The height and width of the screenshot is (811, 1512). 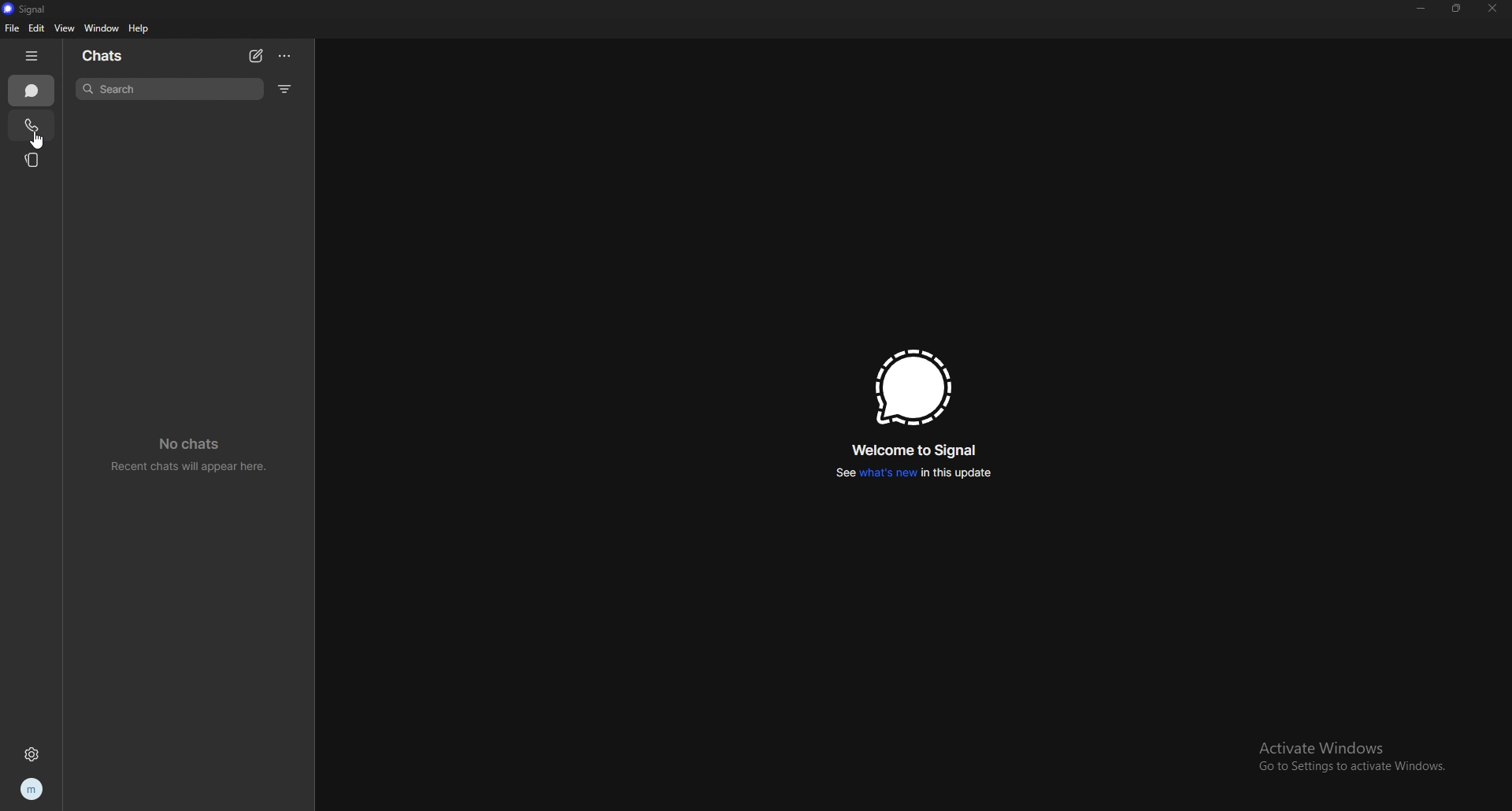 What do you see at coordinates (286, 56) in the screenshot?
I see `options` at bounding box center [286, 56].